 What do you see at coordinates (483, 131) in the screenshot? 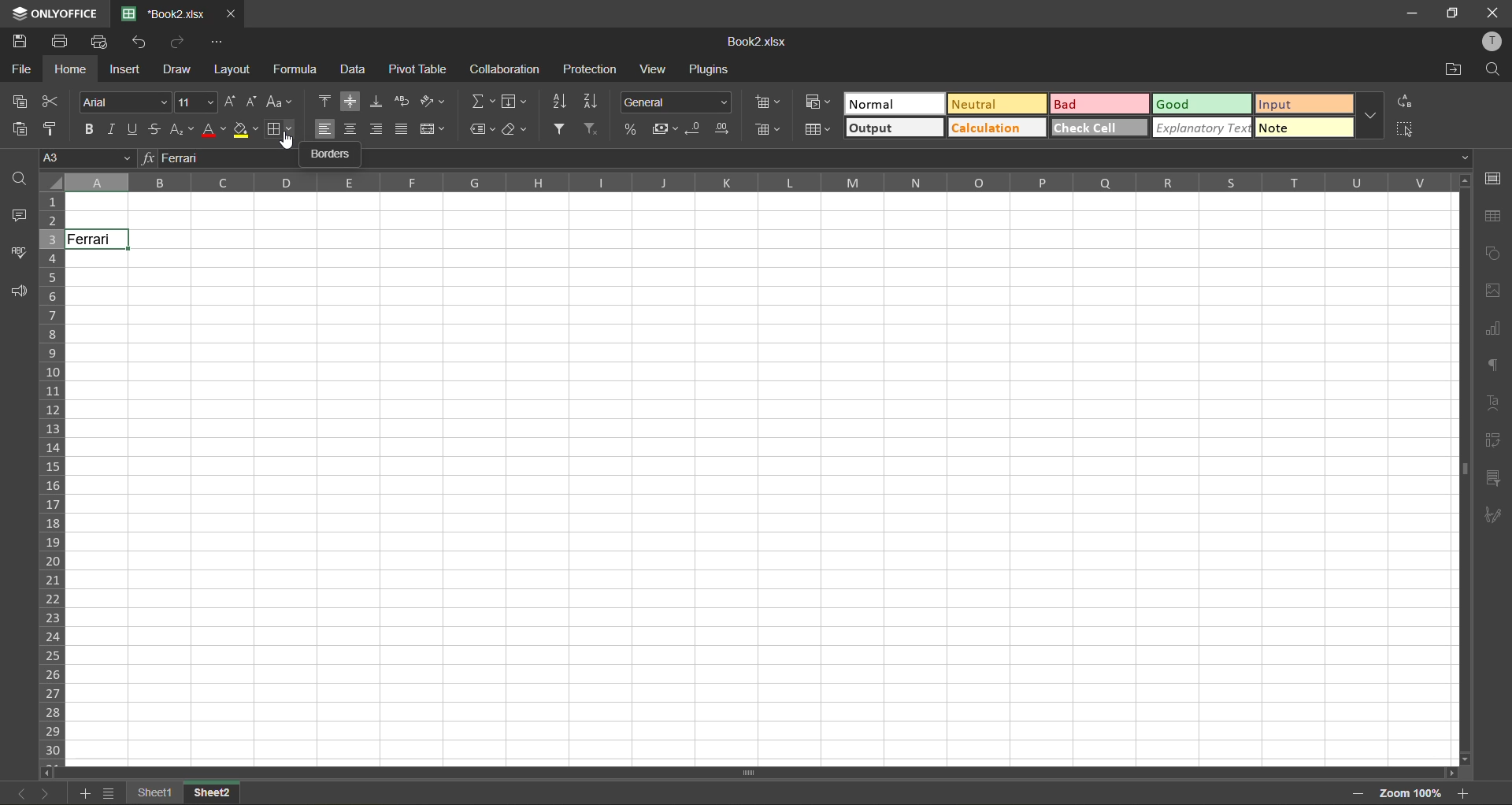
I see `named ranges` at bounding box center [483, 131].